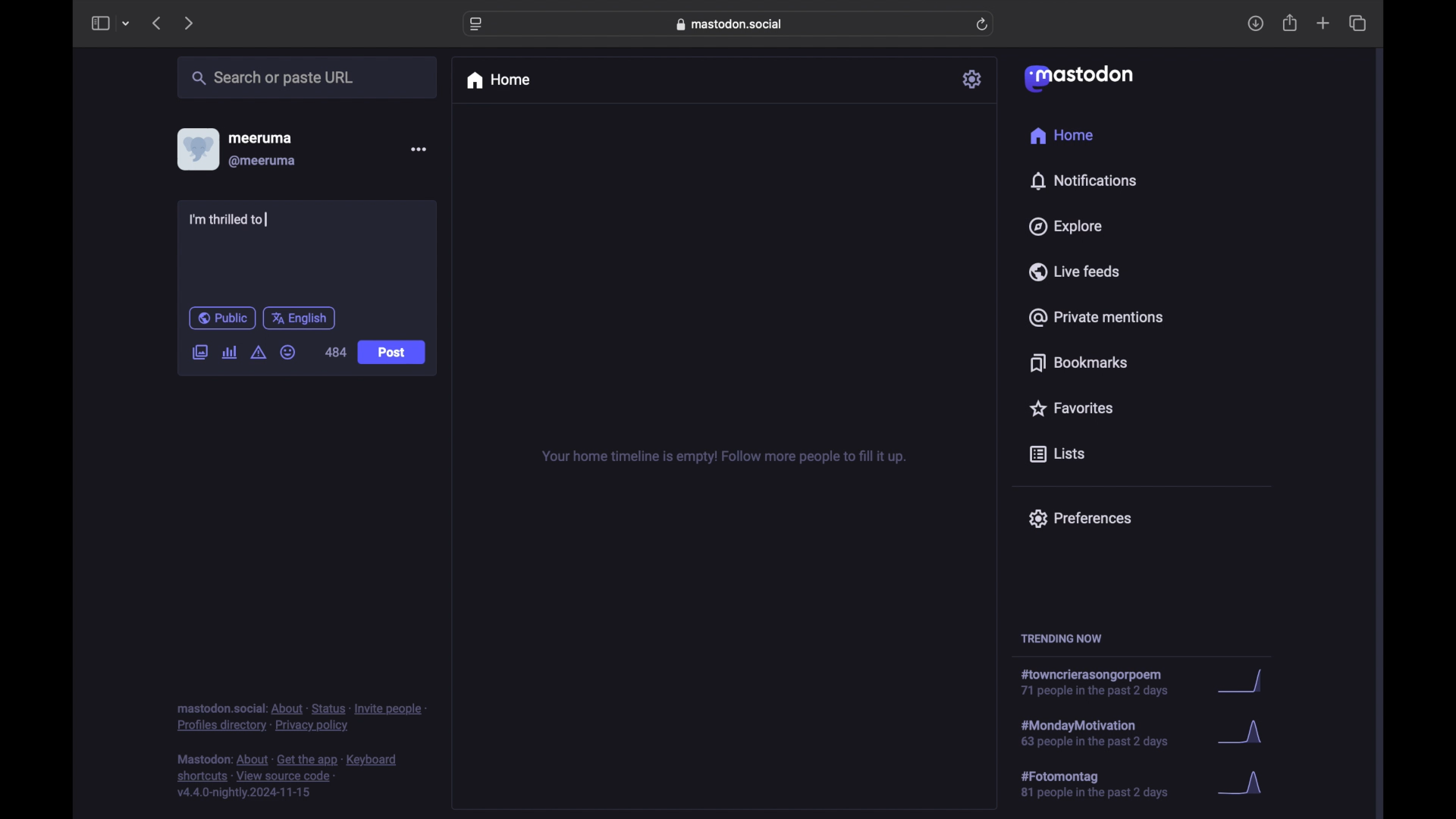 The height and width of the screenshot is (819, 1456). What do you see at coordinates (1071, 408) in the screenshot?
I see `favorites` at bounding box center [1071, 408].